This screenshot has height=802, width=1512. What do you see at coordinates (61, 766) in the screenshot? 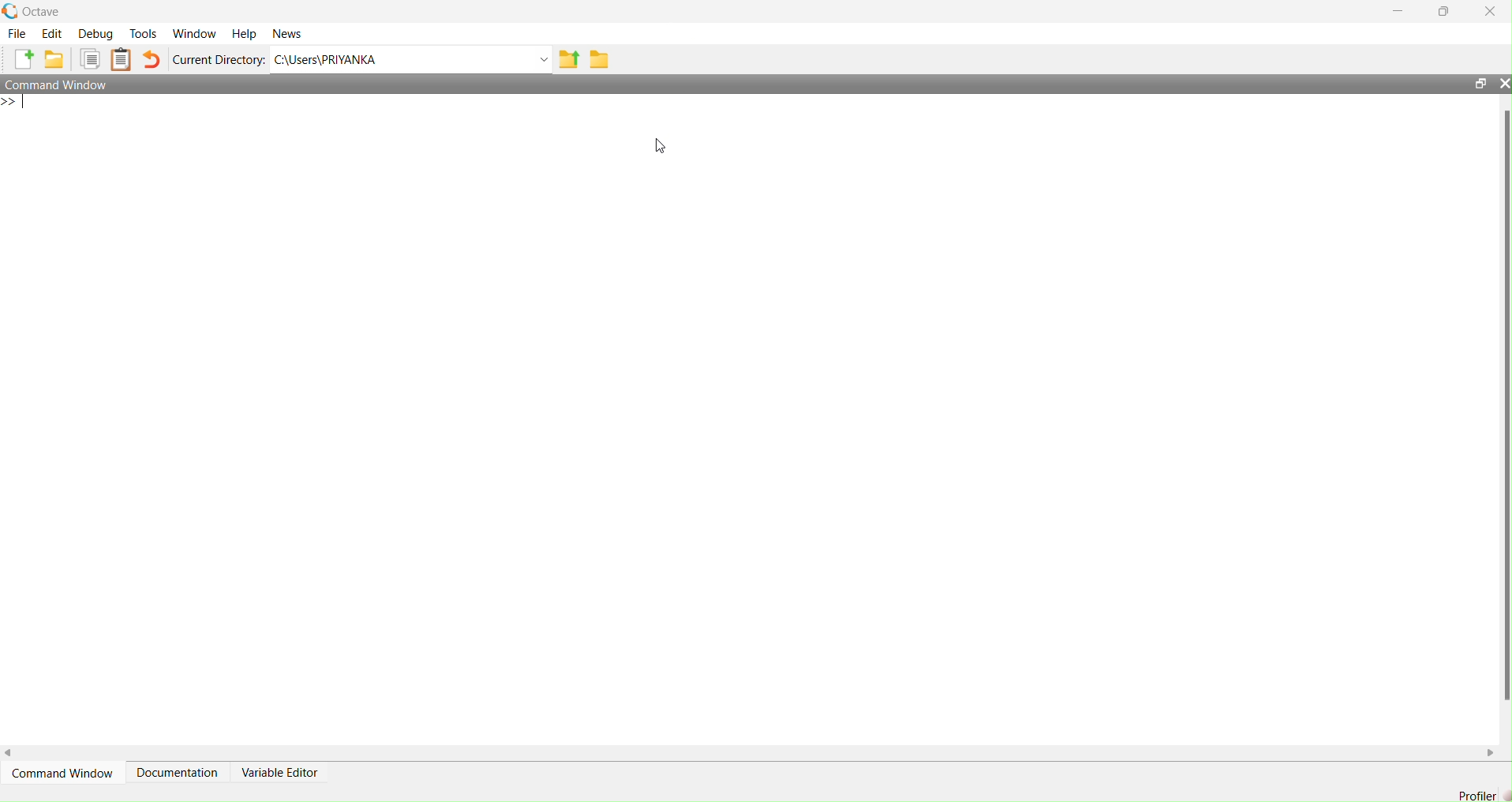
I see `Command Window` at bounding box center [61, 766].